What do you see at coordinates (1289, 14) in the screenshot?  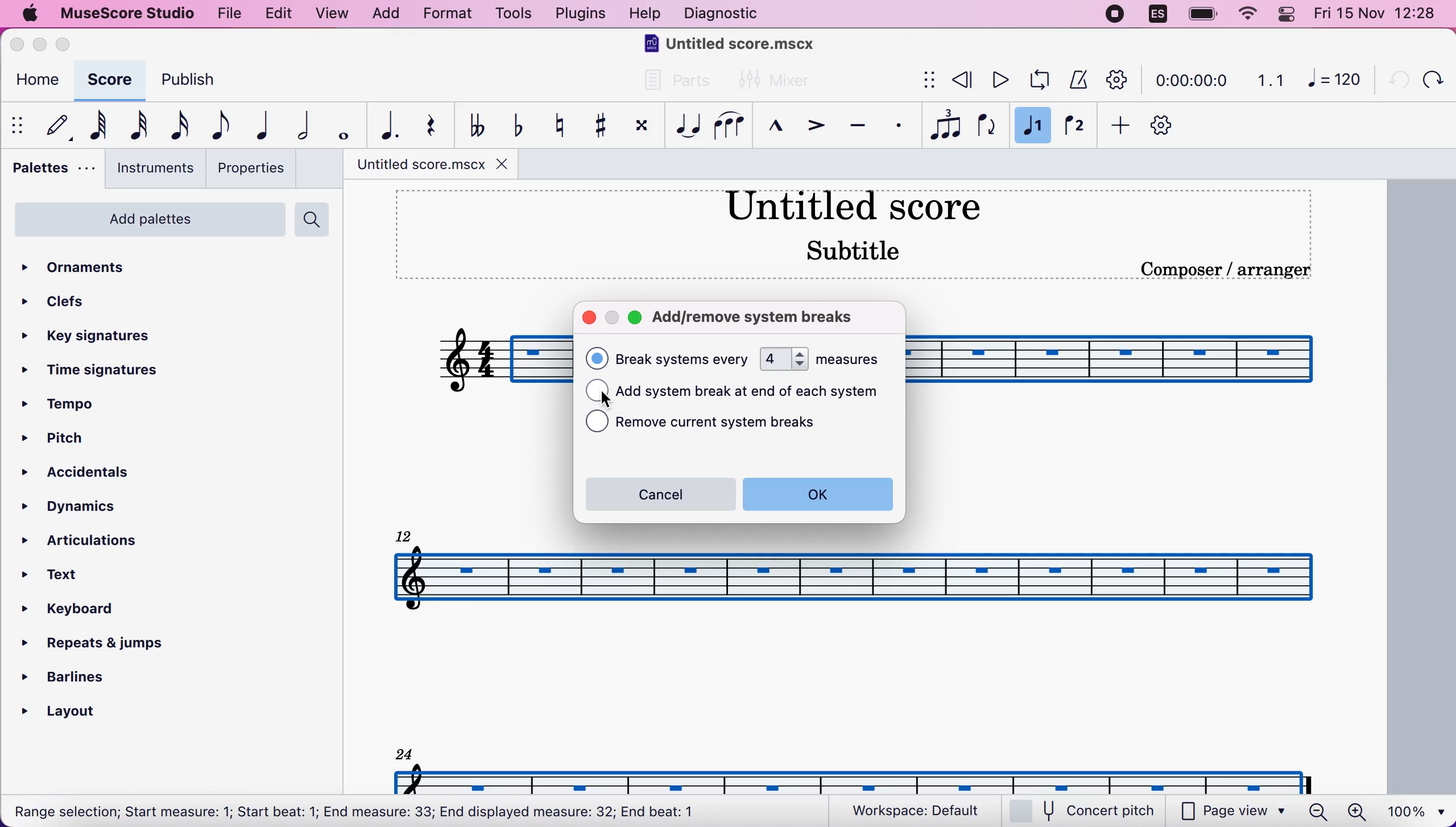 I see `panel control` at bounding box center [1289, 14].